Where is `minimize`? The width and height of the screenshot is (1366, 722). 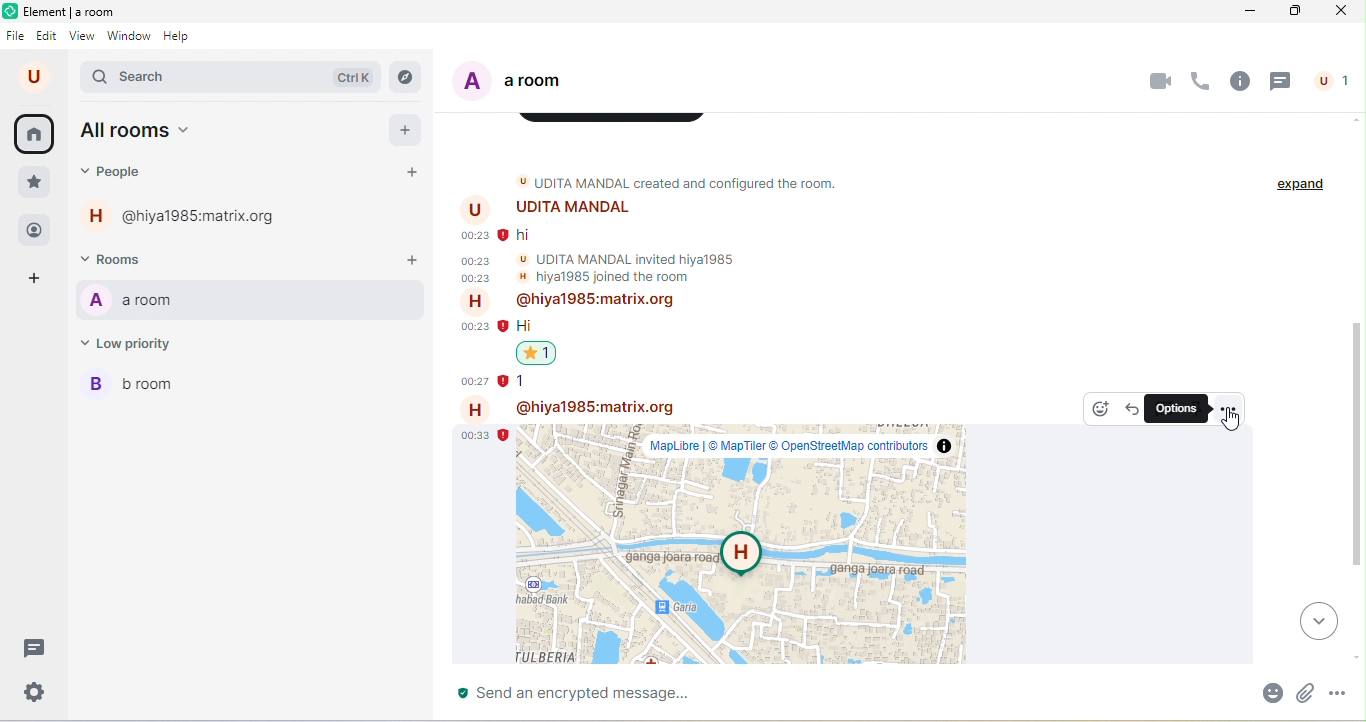 minimize is located at coordinates (1249, 15).